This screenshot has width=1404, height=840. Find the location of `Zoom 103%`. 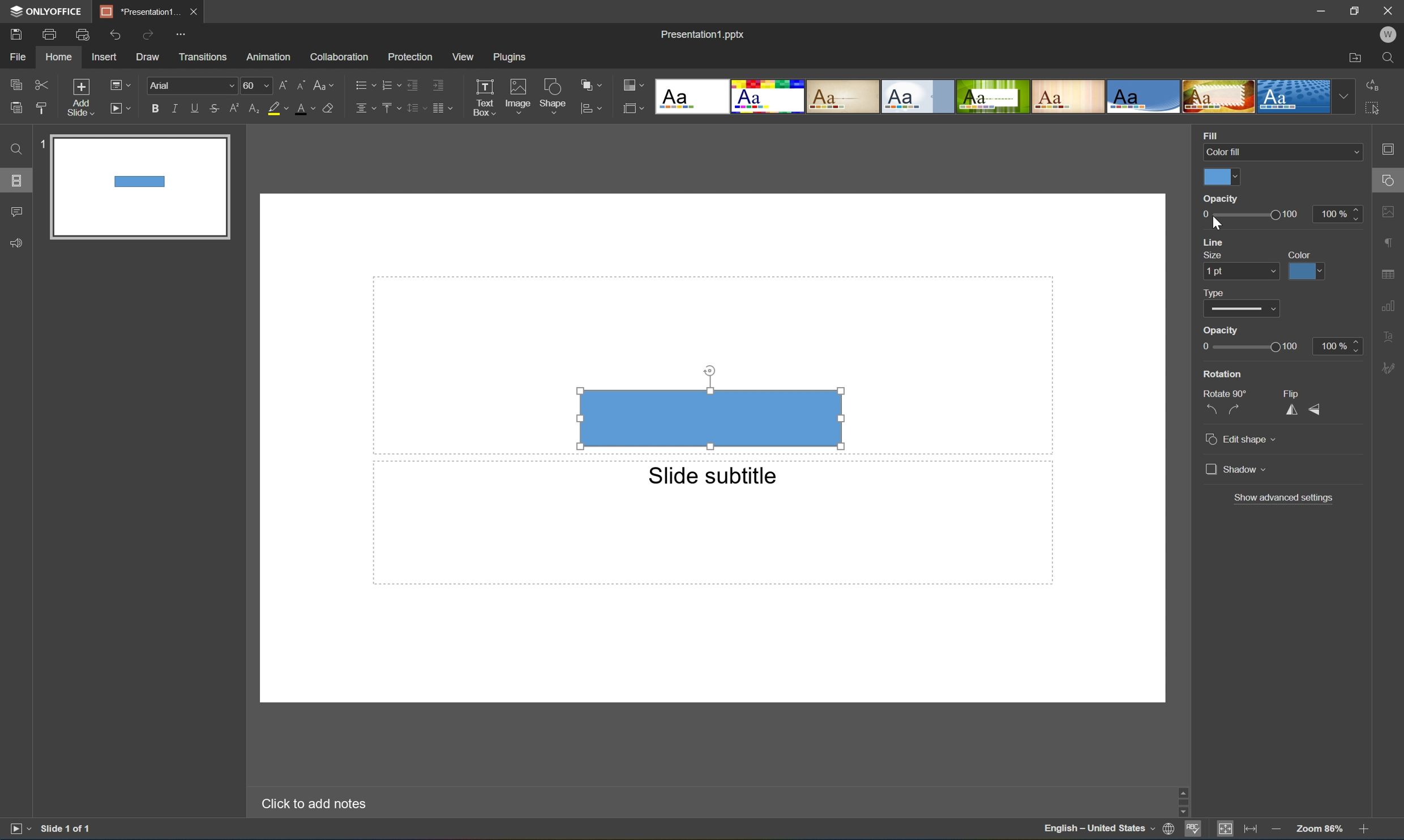

Zoom 103% is located at coordinates (1319, 829).